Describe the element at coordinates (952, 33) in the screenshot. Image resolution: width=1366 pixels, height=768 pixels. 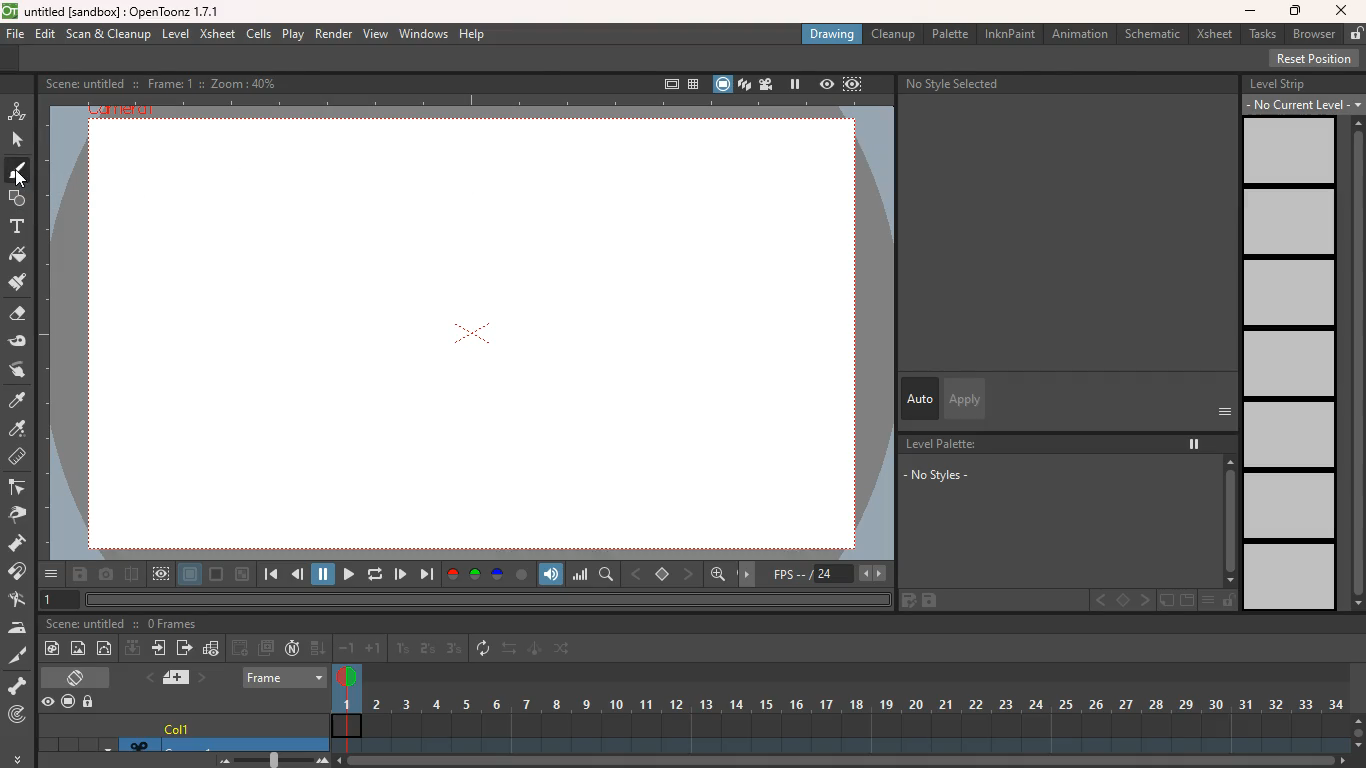
I see `palette` at that location.